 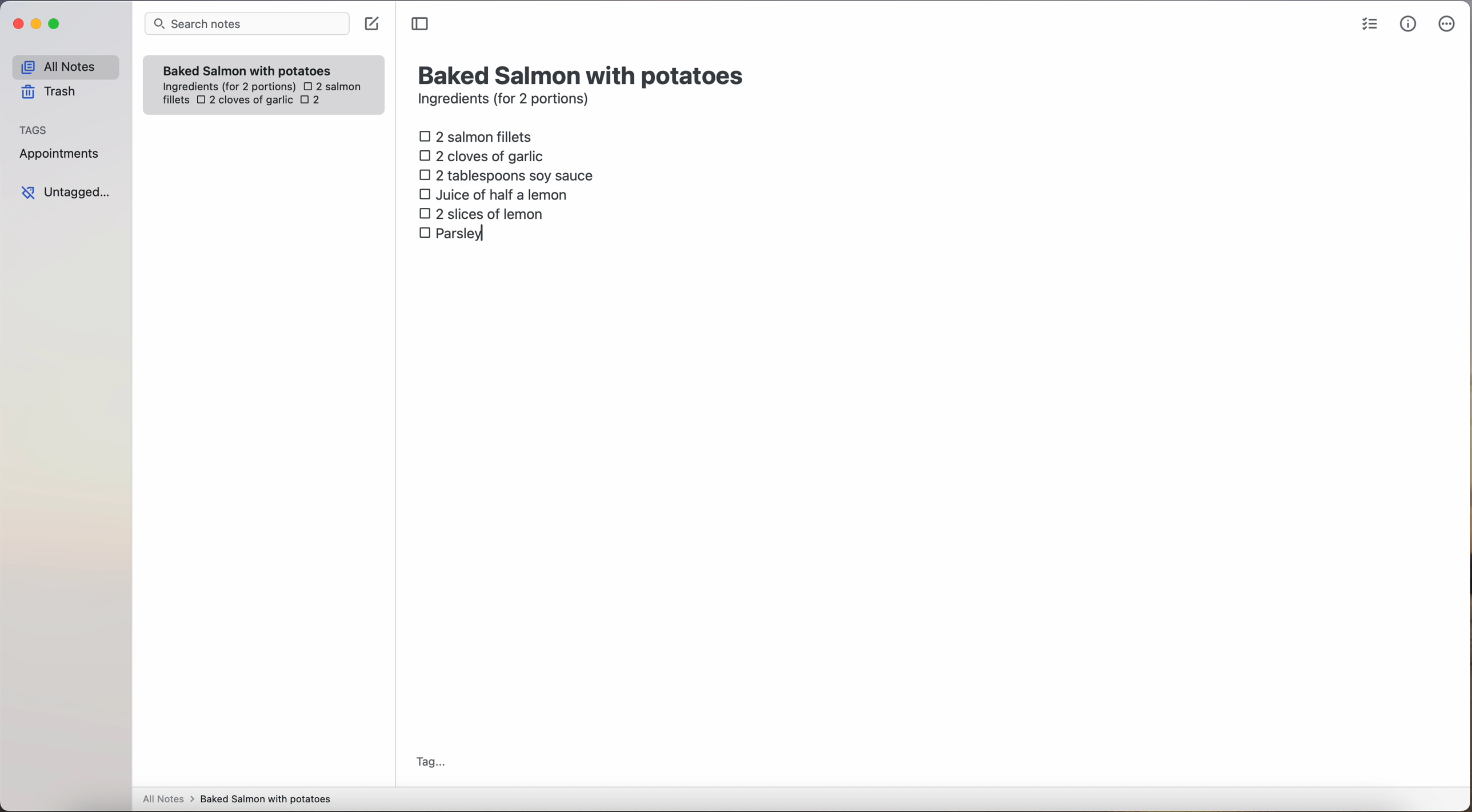 What do you see at coordinates (1370, 25) in the screenshot?
I see `check list` at bounding box center [1370, 25].